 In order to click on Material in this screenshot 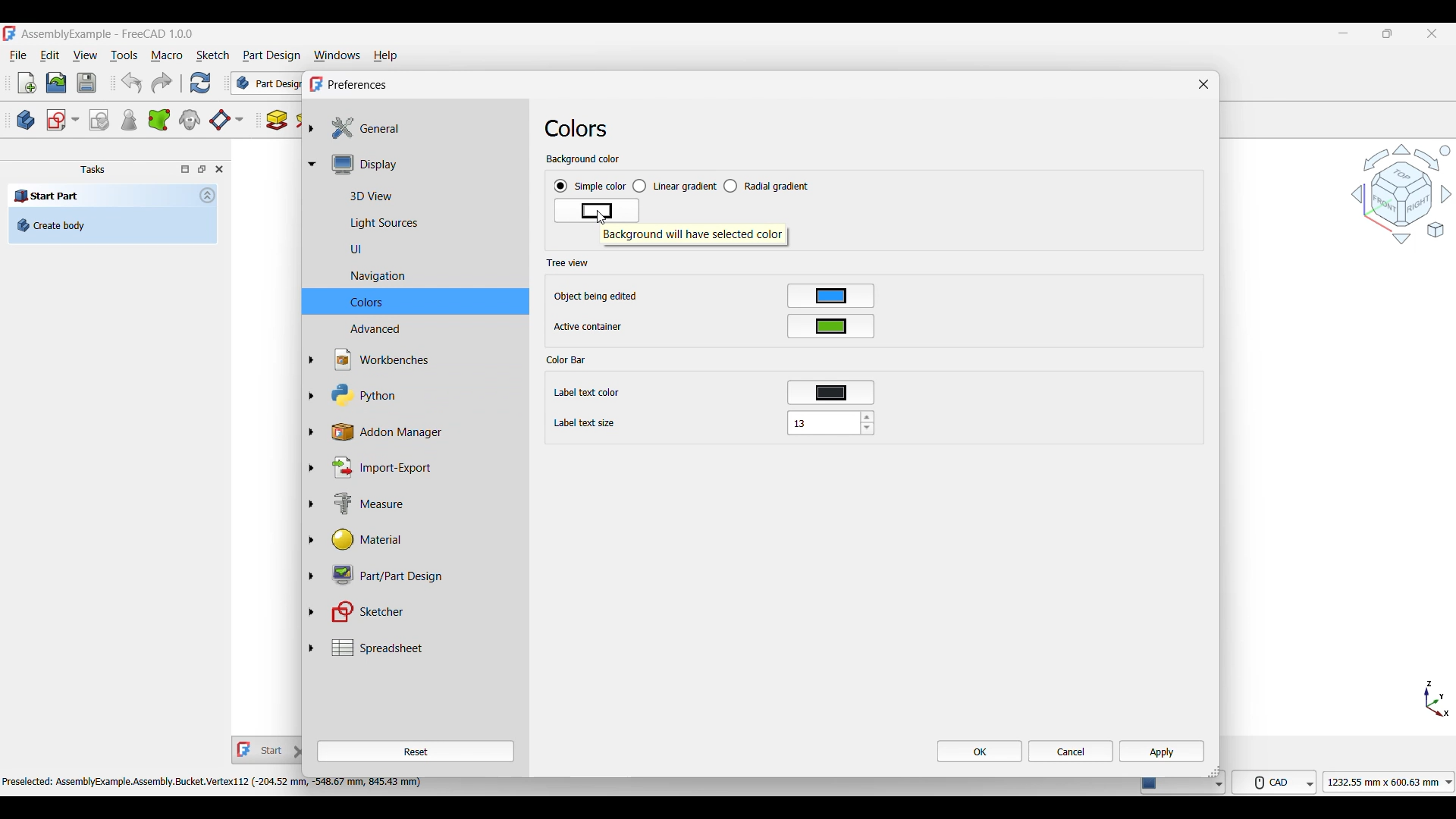, I will do `click(423, 540)`.